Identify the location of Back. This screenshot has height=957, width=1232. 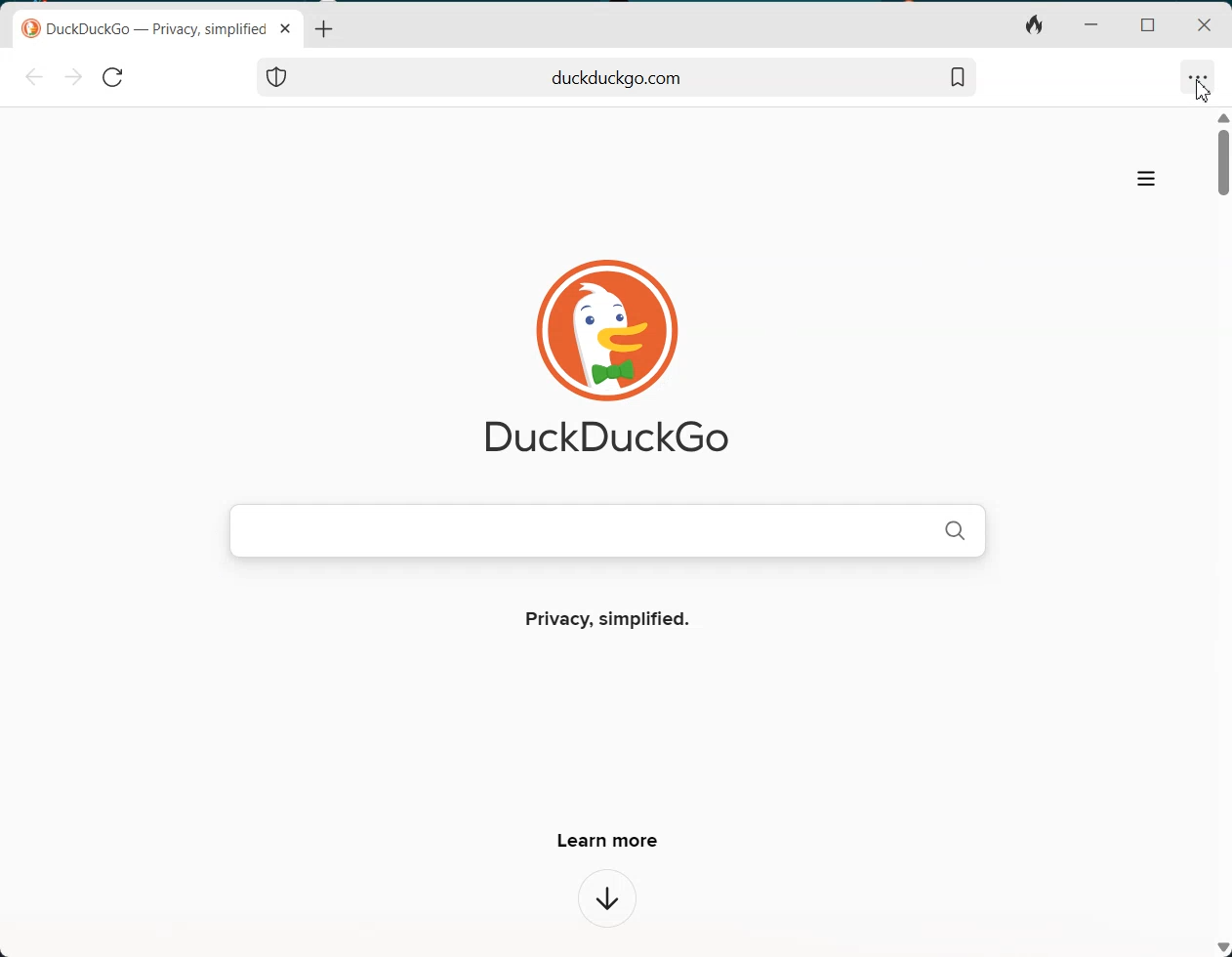
(34, 77).